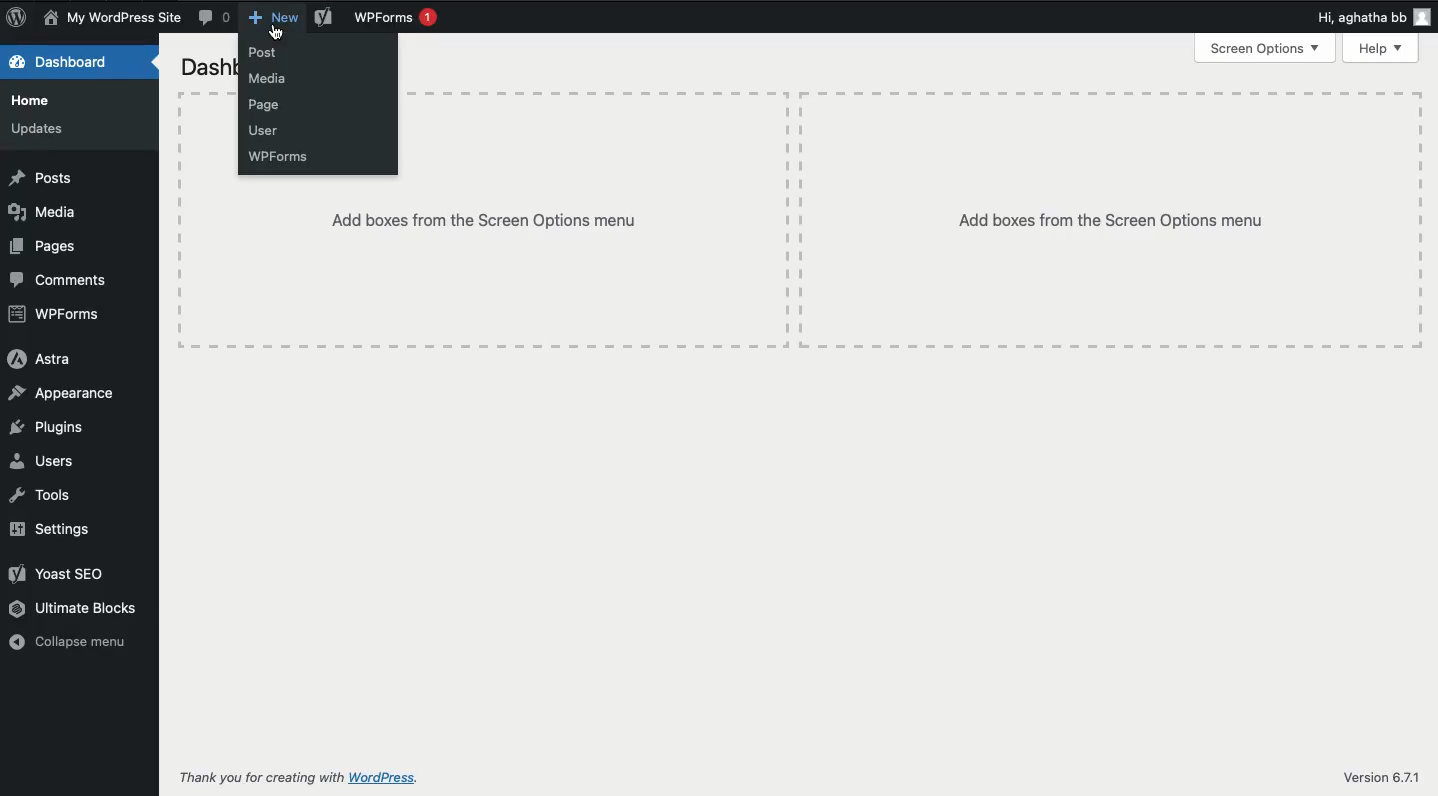 This screenshot has width=1438, height=796. What do you see at coordinates (42, 179) in the screenshot?
I see `Posts` at bounding box center [42, 179].